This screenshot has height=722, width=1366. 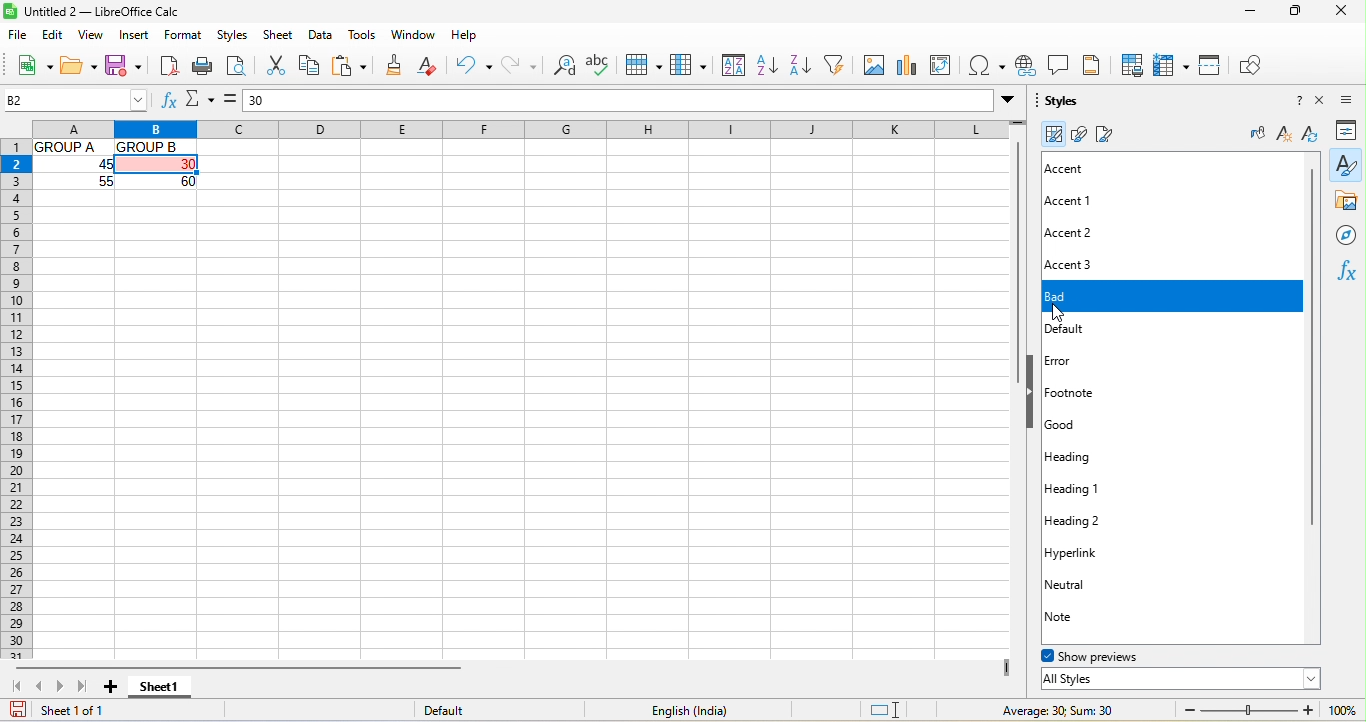 What do you see at coordinates (325, 36) in the screenshot?
I see `data` at bounding box center [325, 36].